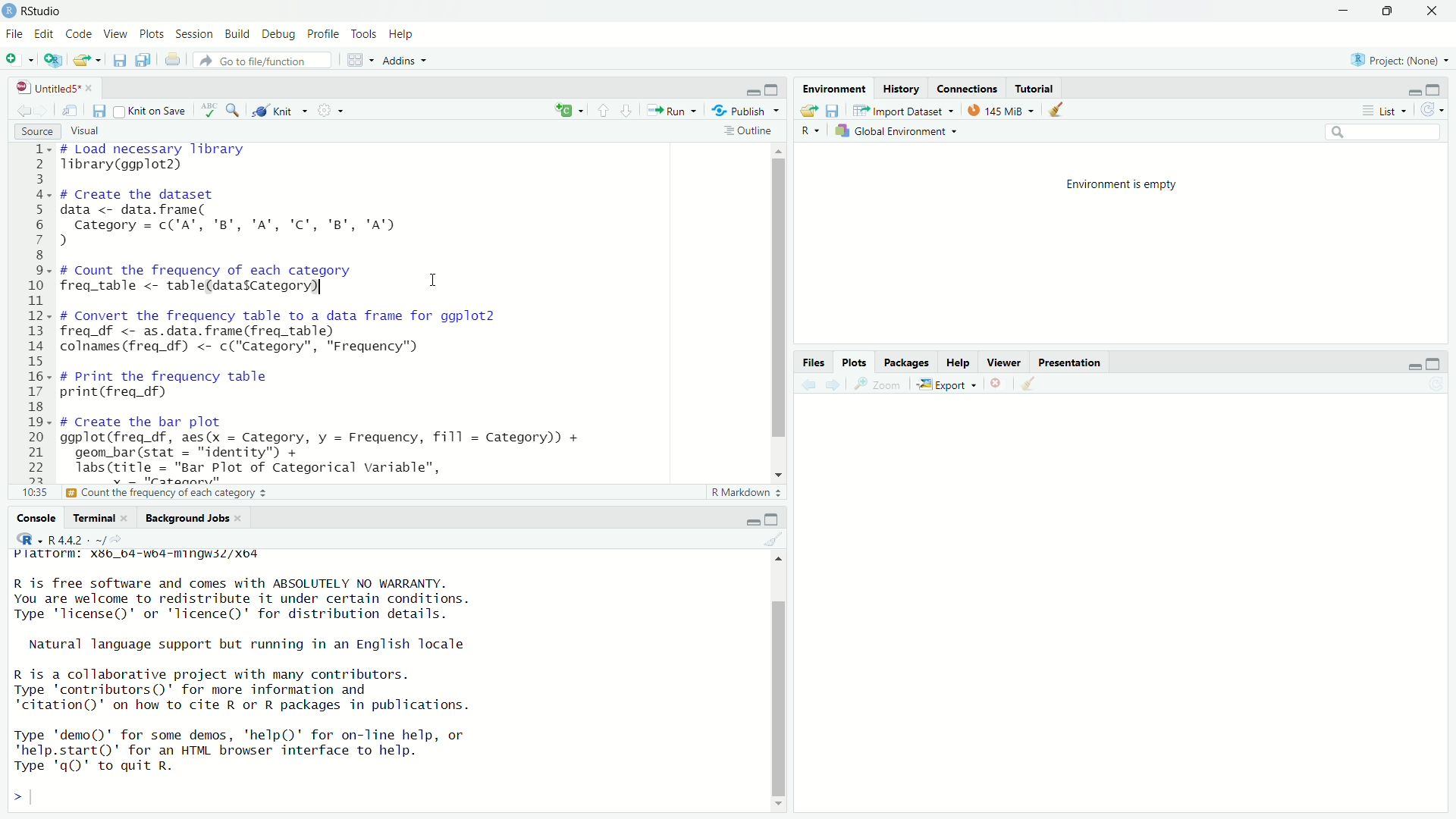 This screenshot has width=1456, height=819. Describe the element at coordinates (958, 363) in the screenshot. I see `help` at that location.